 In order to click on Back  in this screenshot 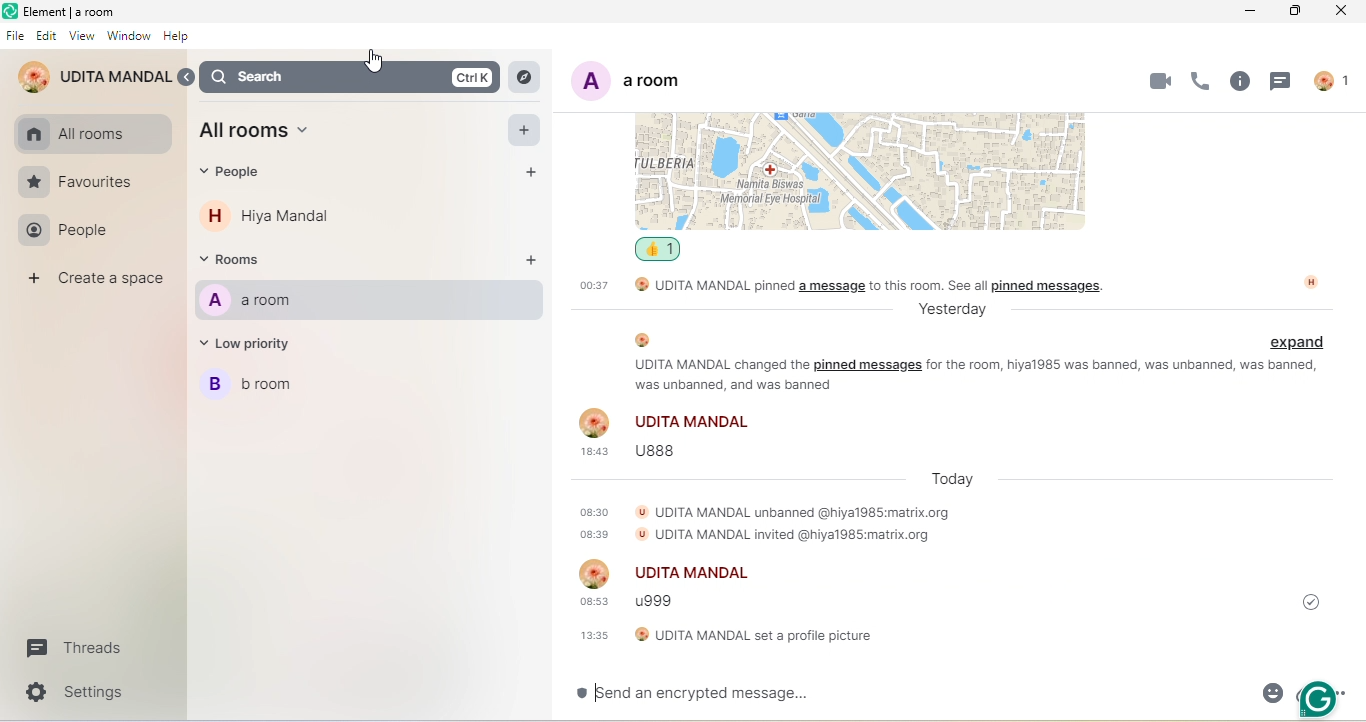, I will do `click(190, 76)`.